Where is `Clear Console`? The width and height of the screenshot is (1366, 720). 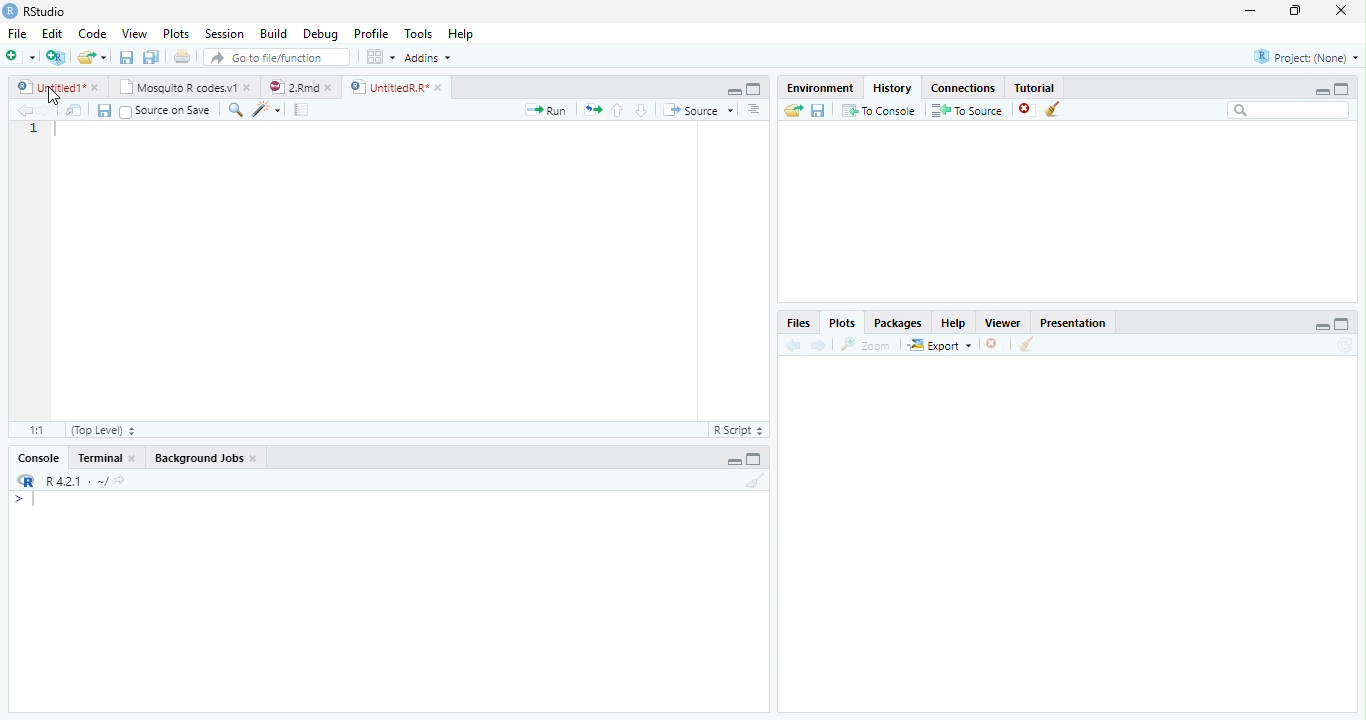
Clear Console is located at coordinates (1053, 109).